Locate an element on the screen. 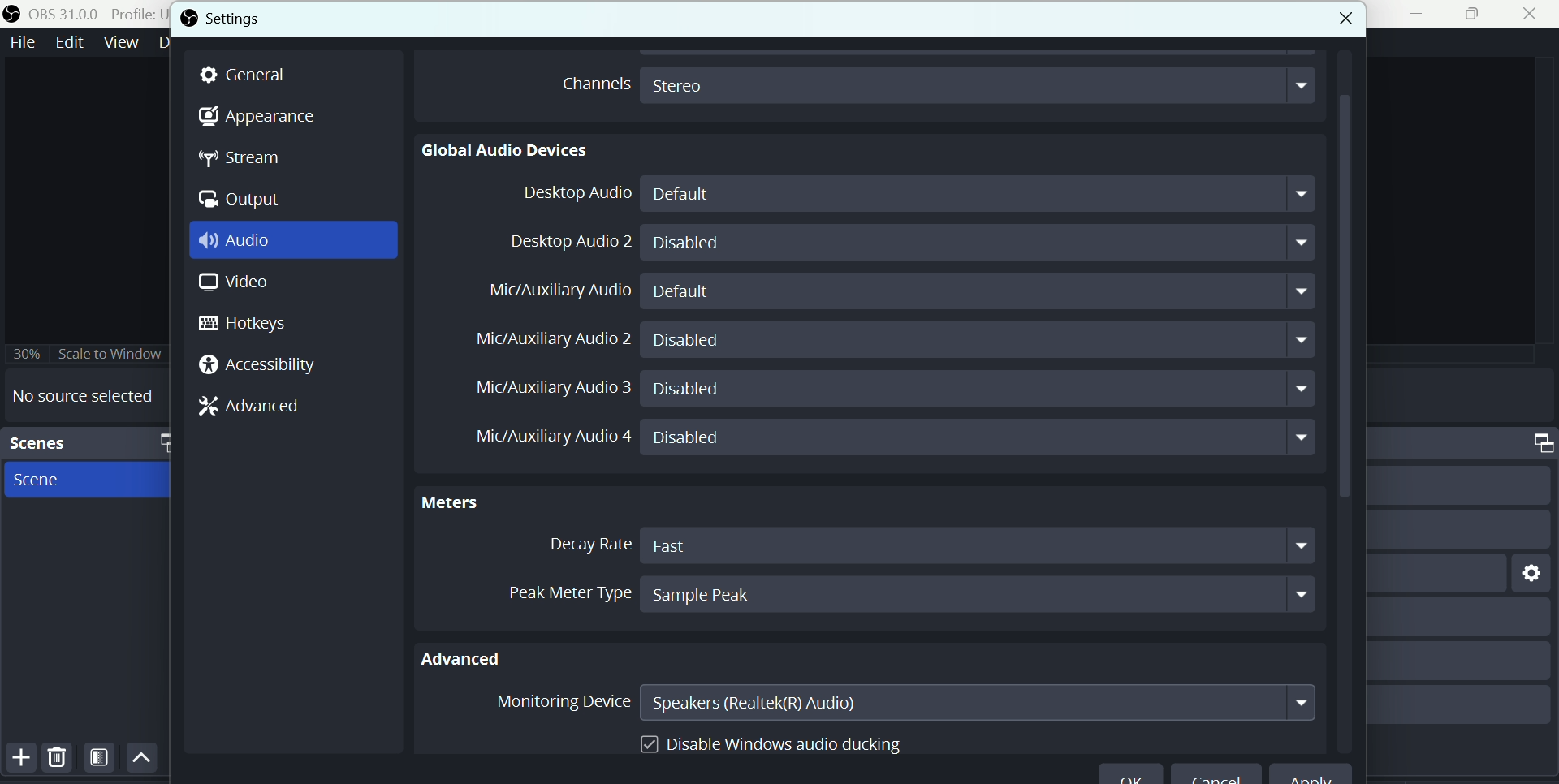 This screenshot has width=1559, height=784. Global Audio Devices is located at coordinates (507, 149).